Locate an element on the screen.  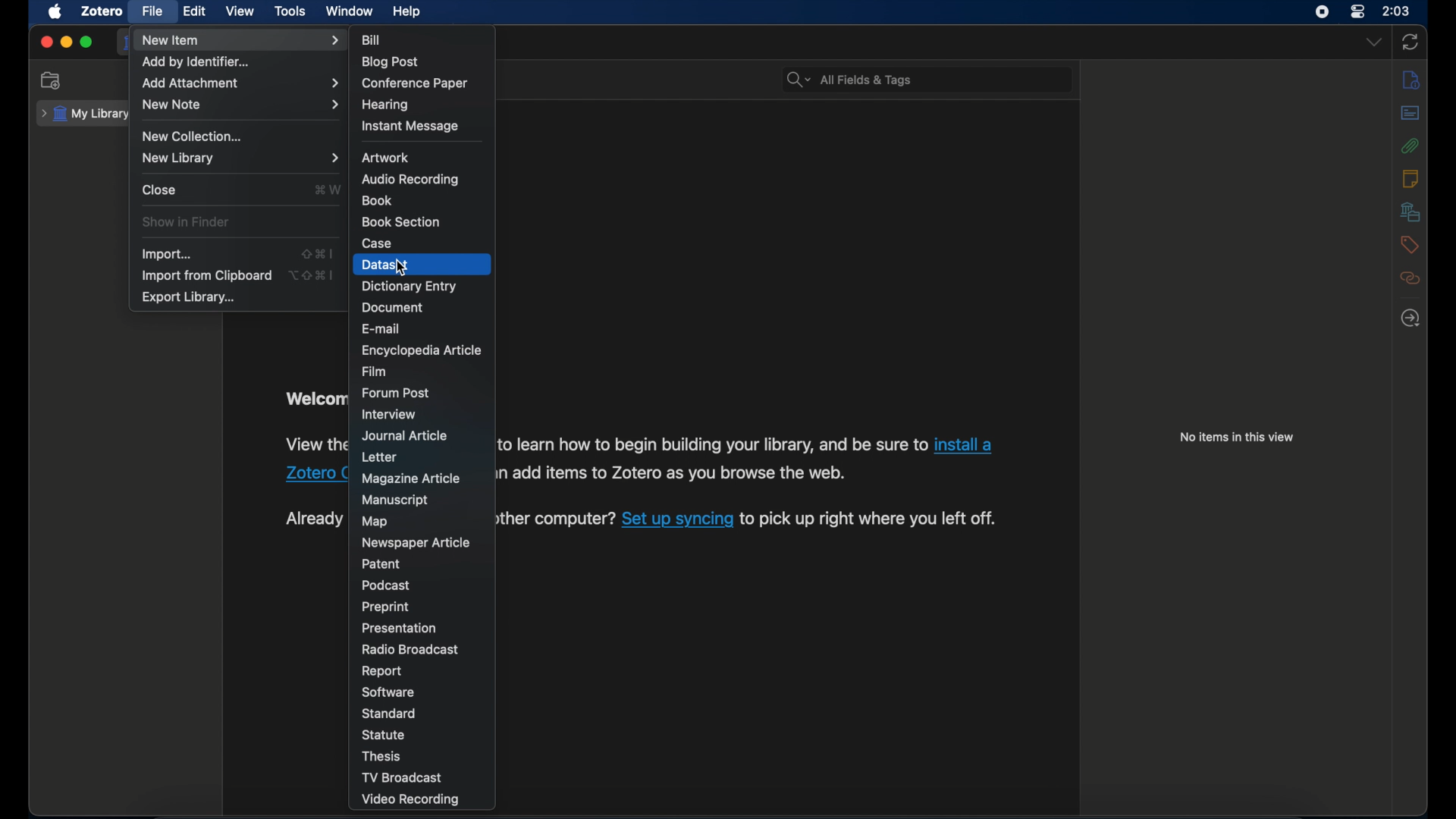
minimize is located at coordinates (67, 42).